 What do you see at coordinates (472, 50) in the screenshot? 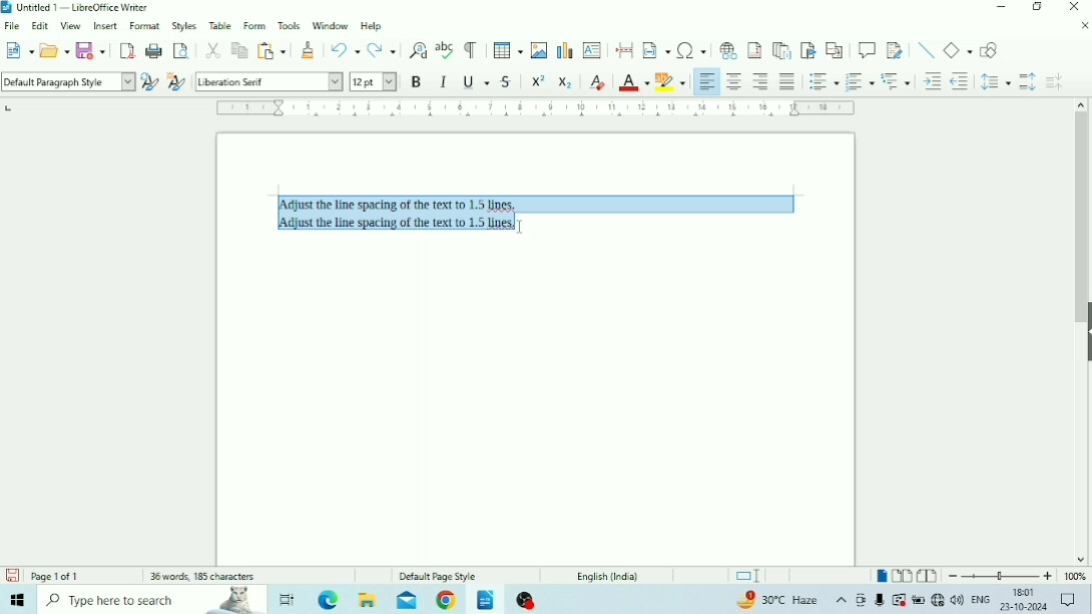
I see `Toggle Formatting Marks` at bounding box center [472, 50].